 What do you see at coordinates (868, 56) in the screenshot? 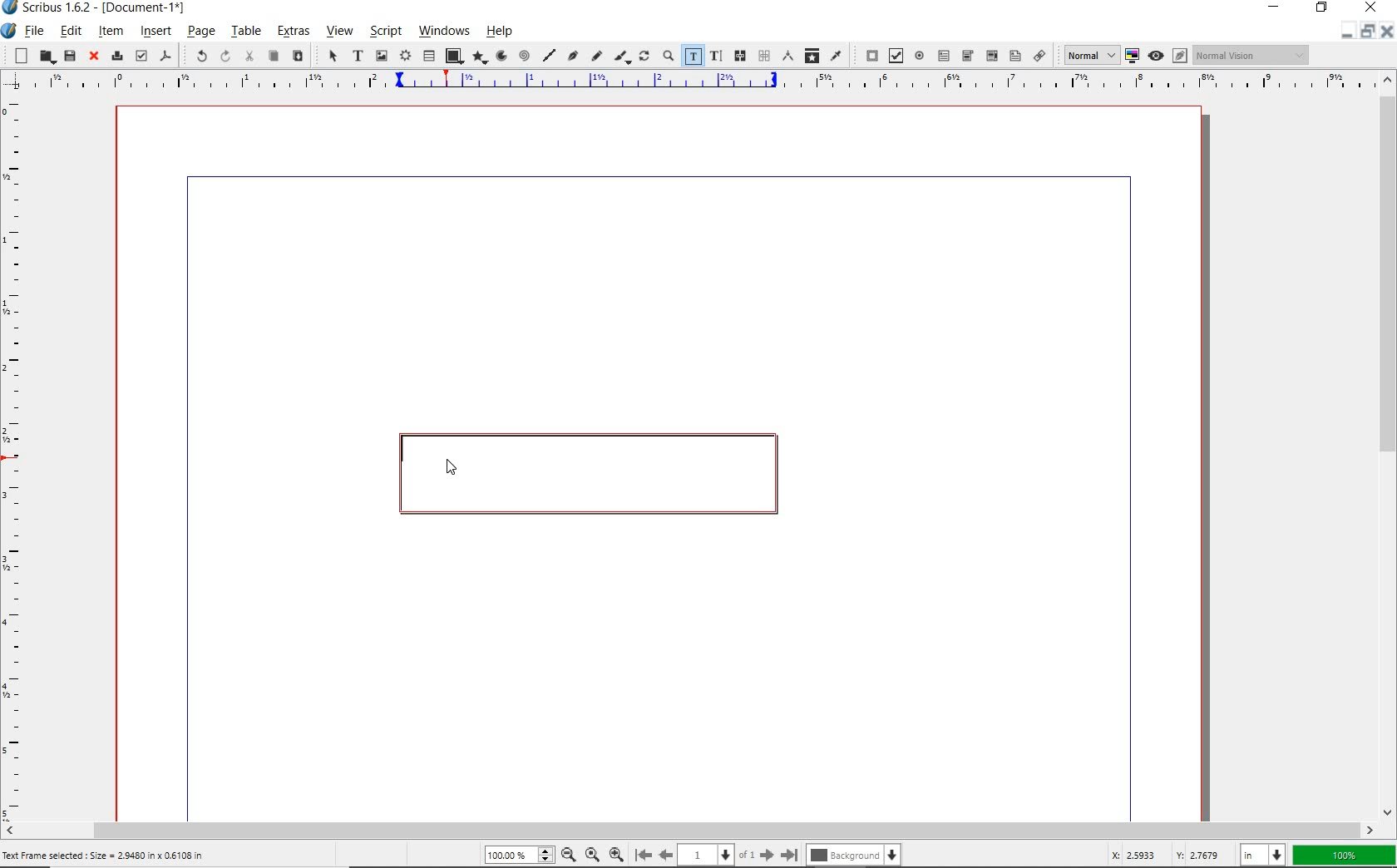
I see `pdf push button` at bounding box center [868, 56].